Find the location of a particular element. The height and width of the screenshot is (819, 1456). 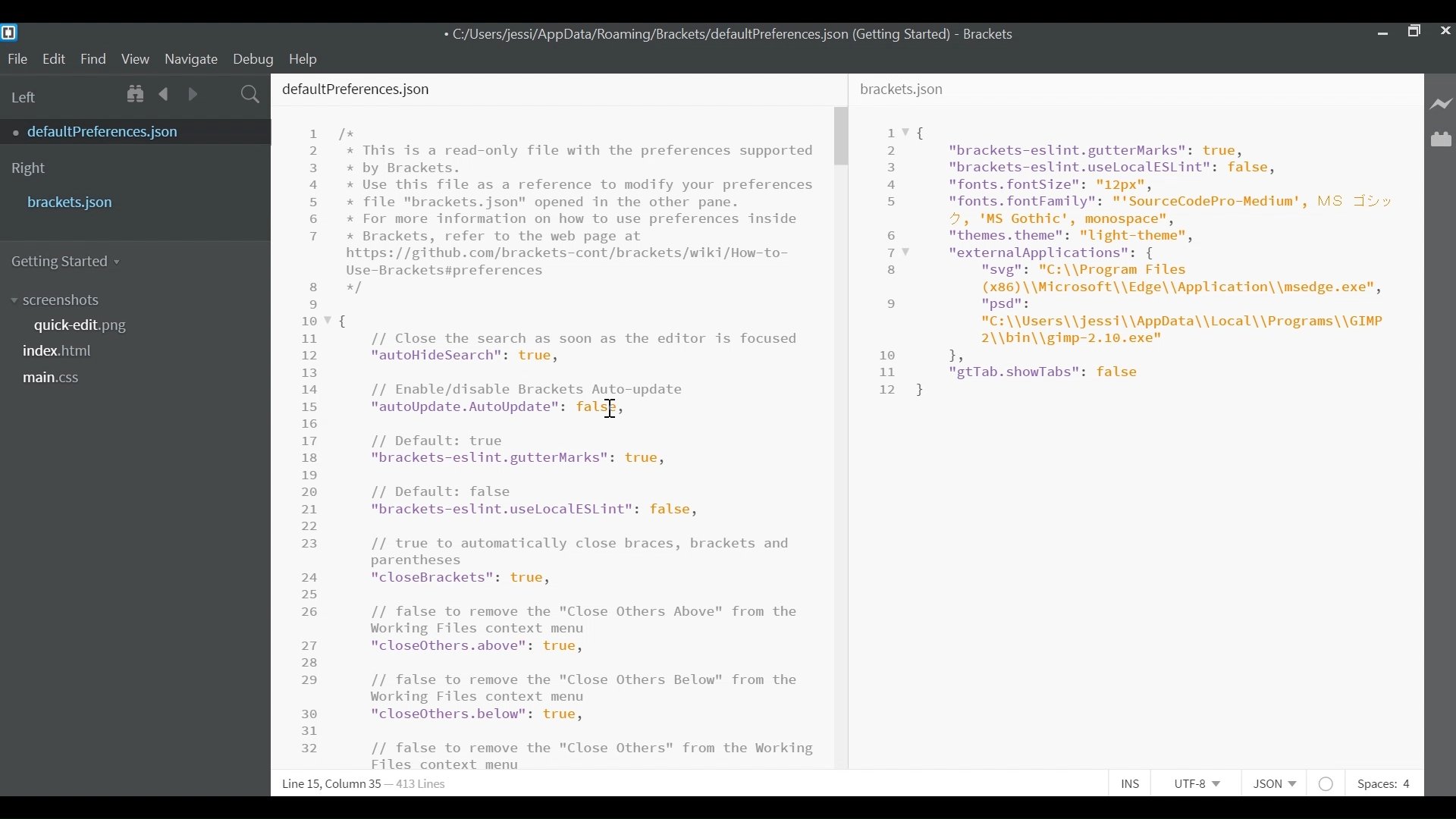

Close is located at coordinates (1446, 31).